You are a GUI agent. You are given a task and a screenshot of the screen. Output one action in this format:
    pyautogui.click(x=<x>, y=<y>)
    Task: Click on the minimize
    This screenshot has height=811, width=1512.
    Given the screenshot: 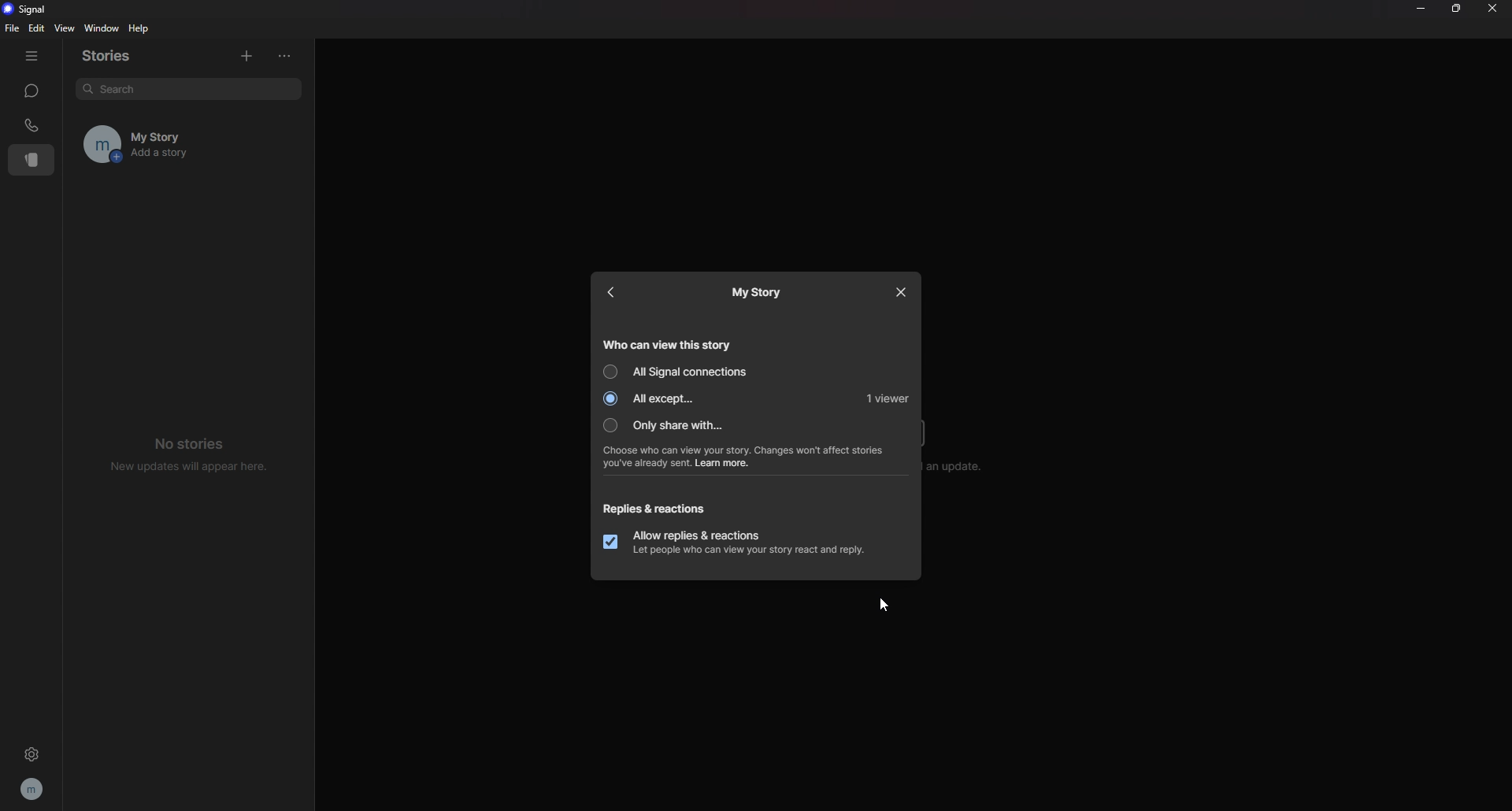 What is the action you would take?
    pyautogui.click(x=1420, y=8)
    